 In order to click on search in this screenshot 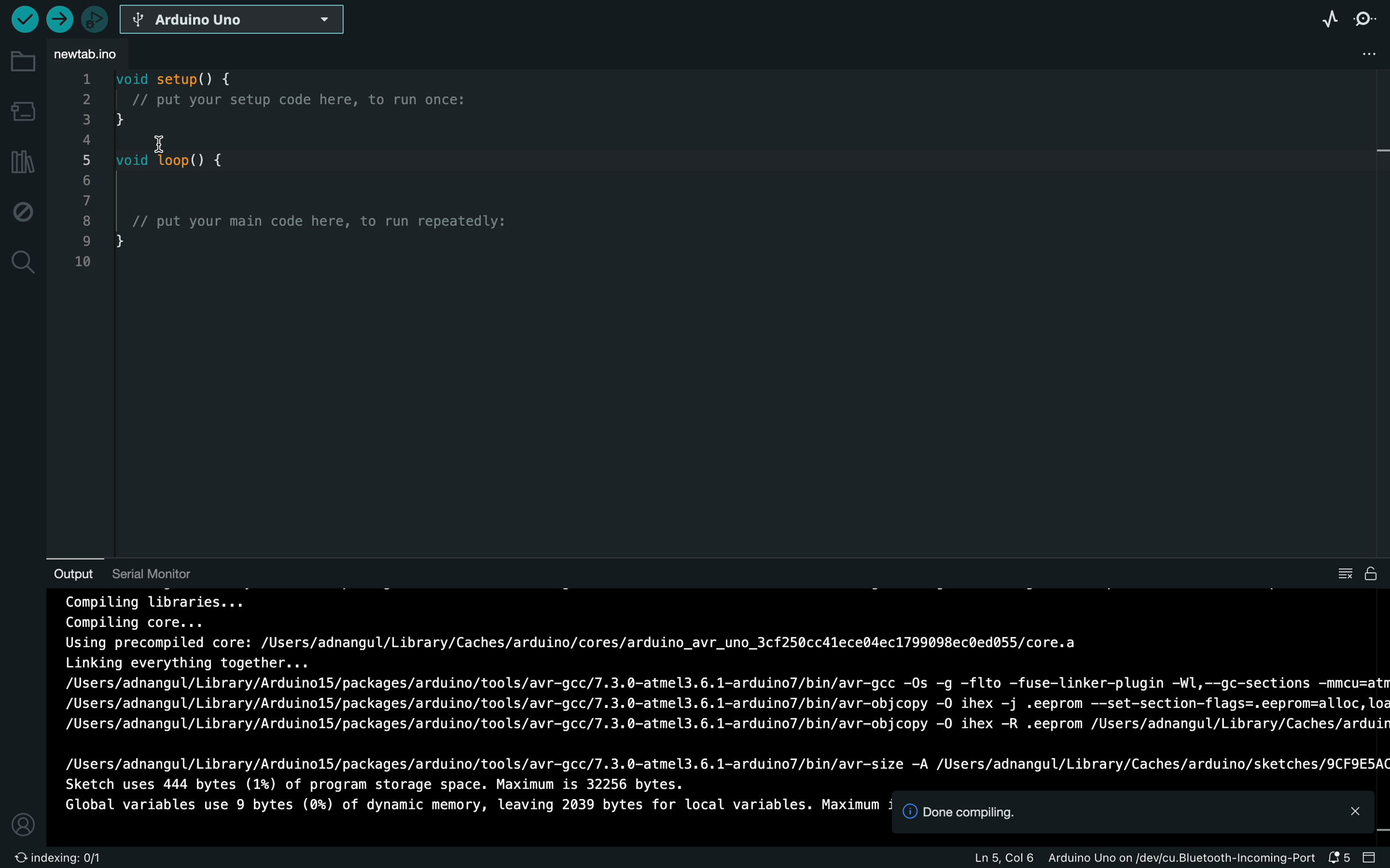, I will do `click(20, 265)`.